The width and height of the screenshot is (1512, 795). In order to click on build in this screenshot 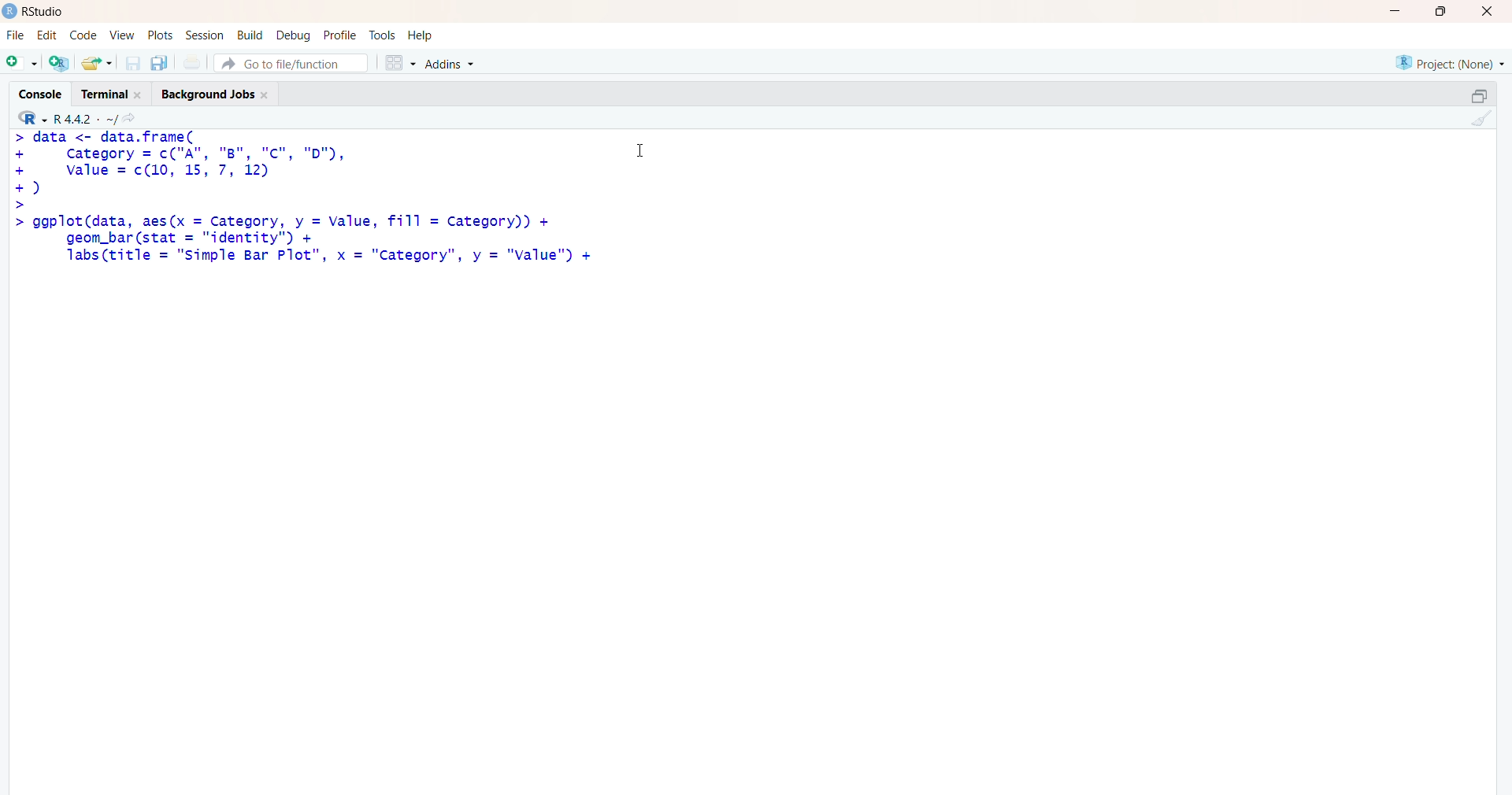, I will do `click(249, 35)`.